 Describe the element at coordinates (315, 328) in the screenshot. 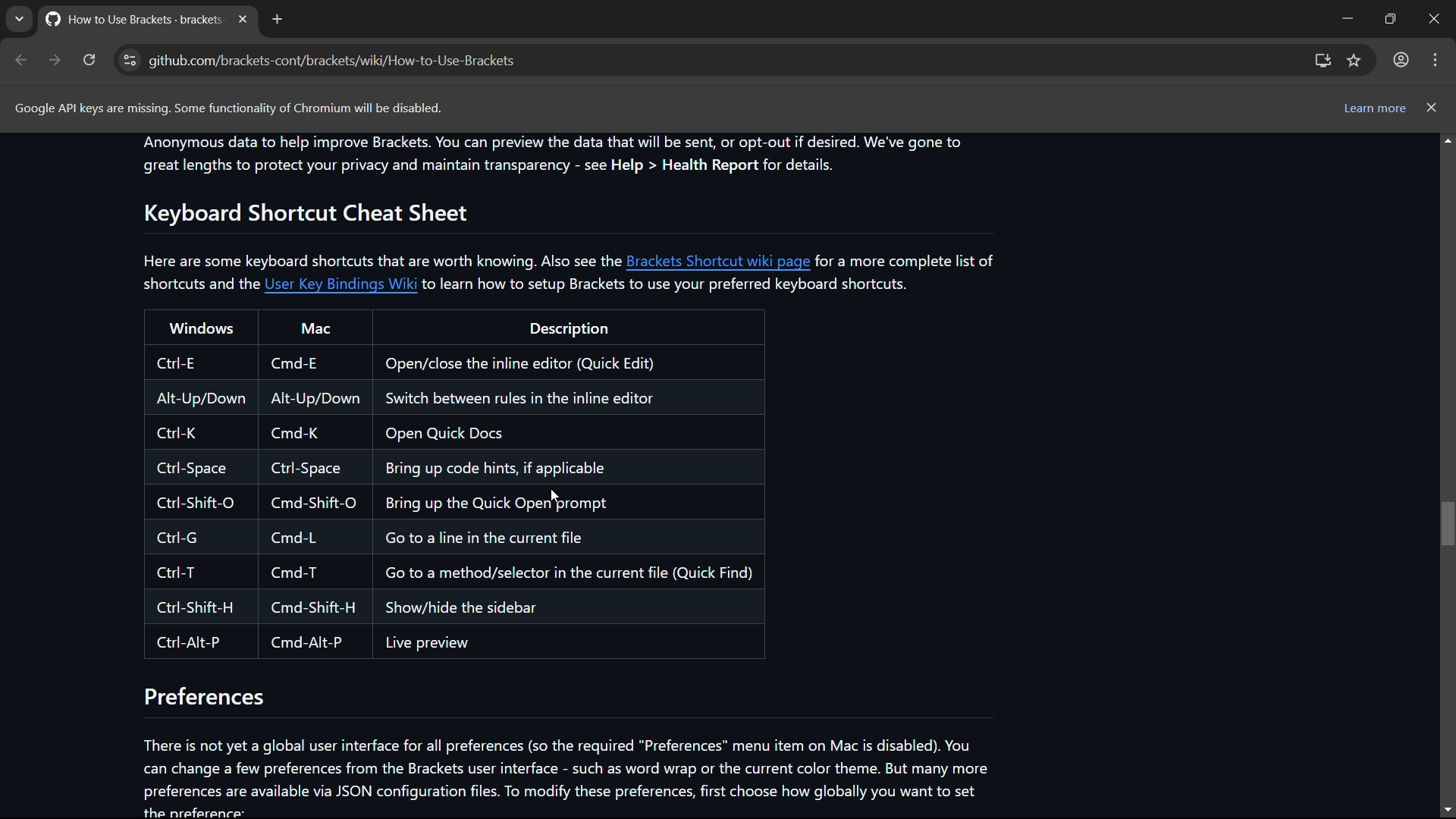

I see `mac` at that location.